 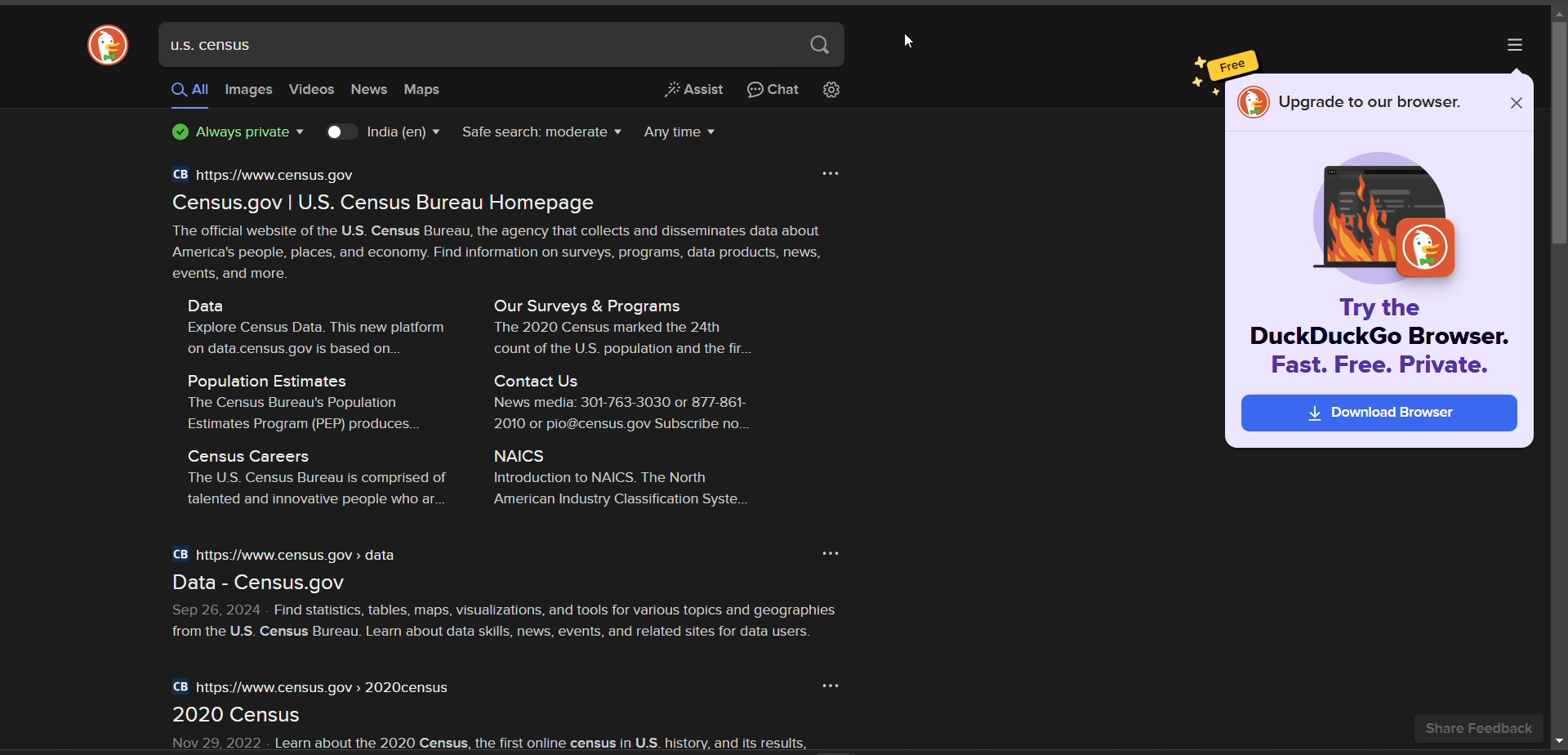 What do you see at coordinates (1380, 336) in the screenshot?
I see `Try the DuckDuckGo Browser. fast.free.private` at bounding box center [1380, 336].